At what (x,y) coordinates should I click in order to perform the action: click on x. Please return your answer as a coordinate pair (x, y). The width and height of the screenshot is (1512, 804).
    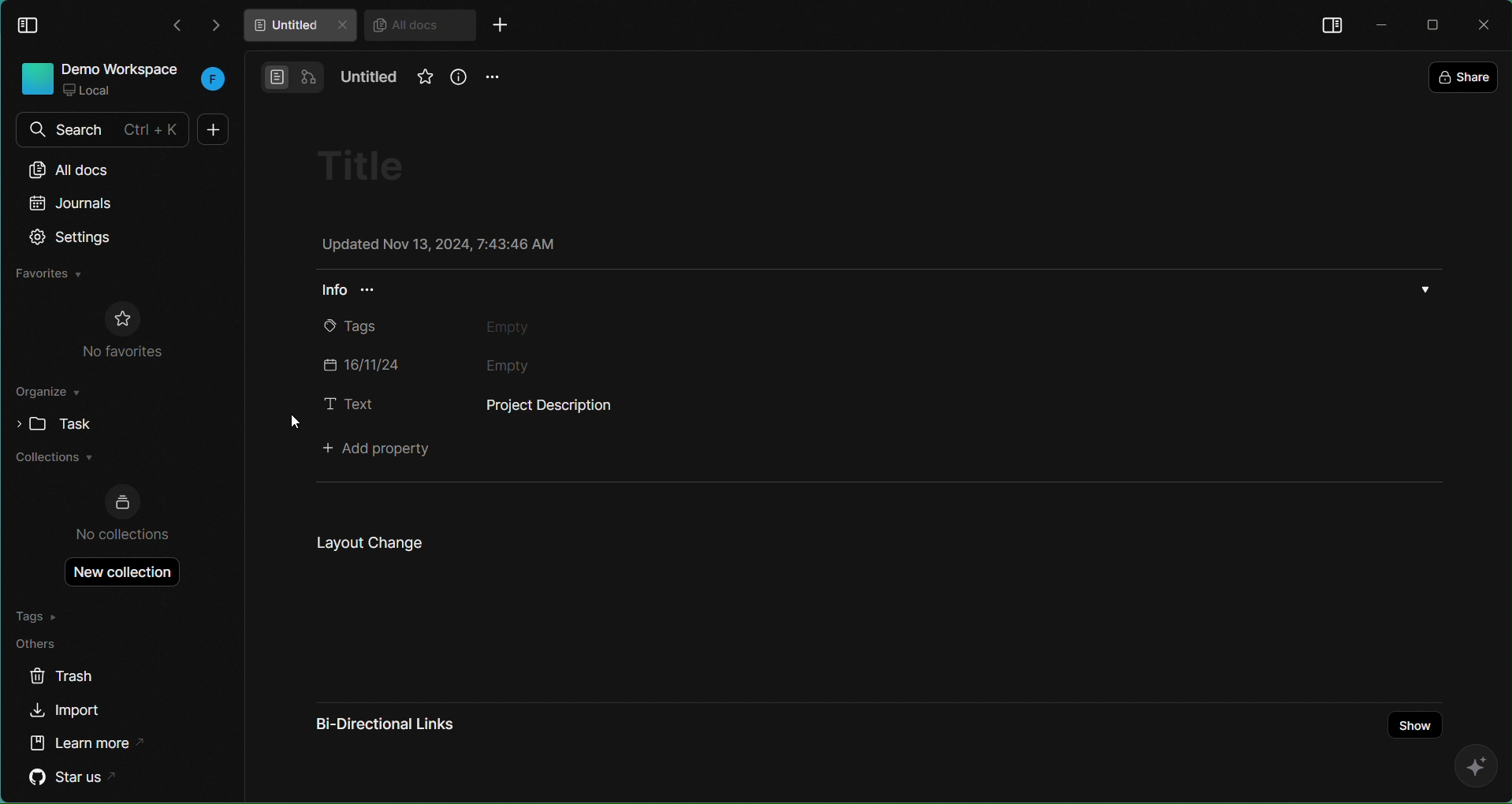
    Looking at the image, I should click on (1487, 25).